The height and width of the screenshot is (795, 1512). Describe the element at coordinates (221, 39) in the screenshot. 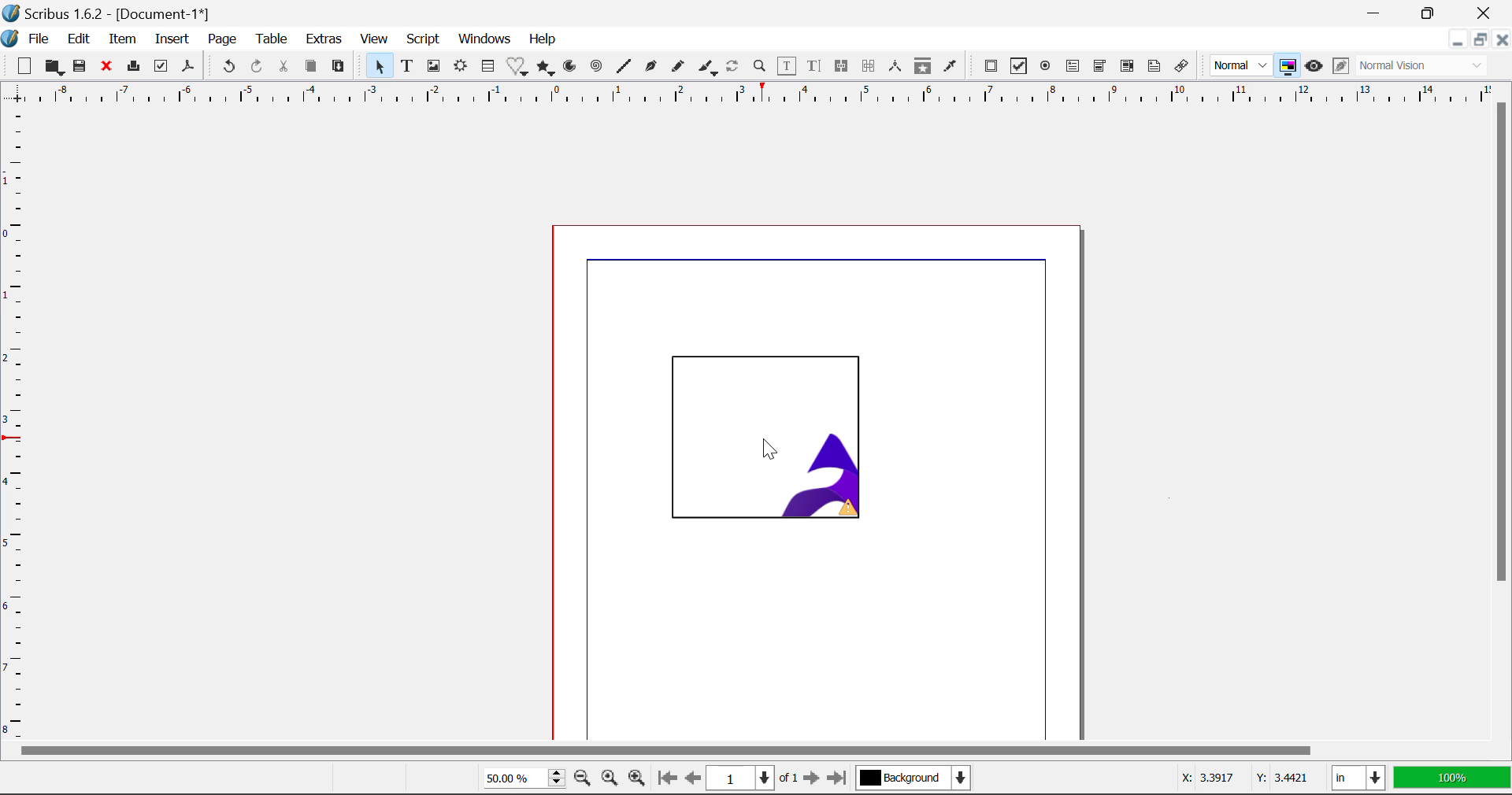

I see `Page` at that location.